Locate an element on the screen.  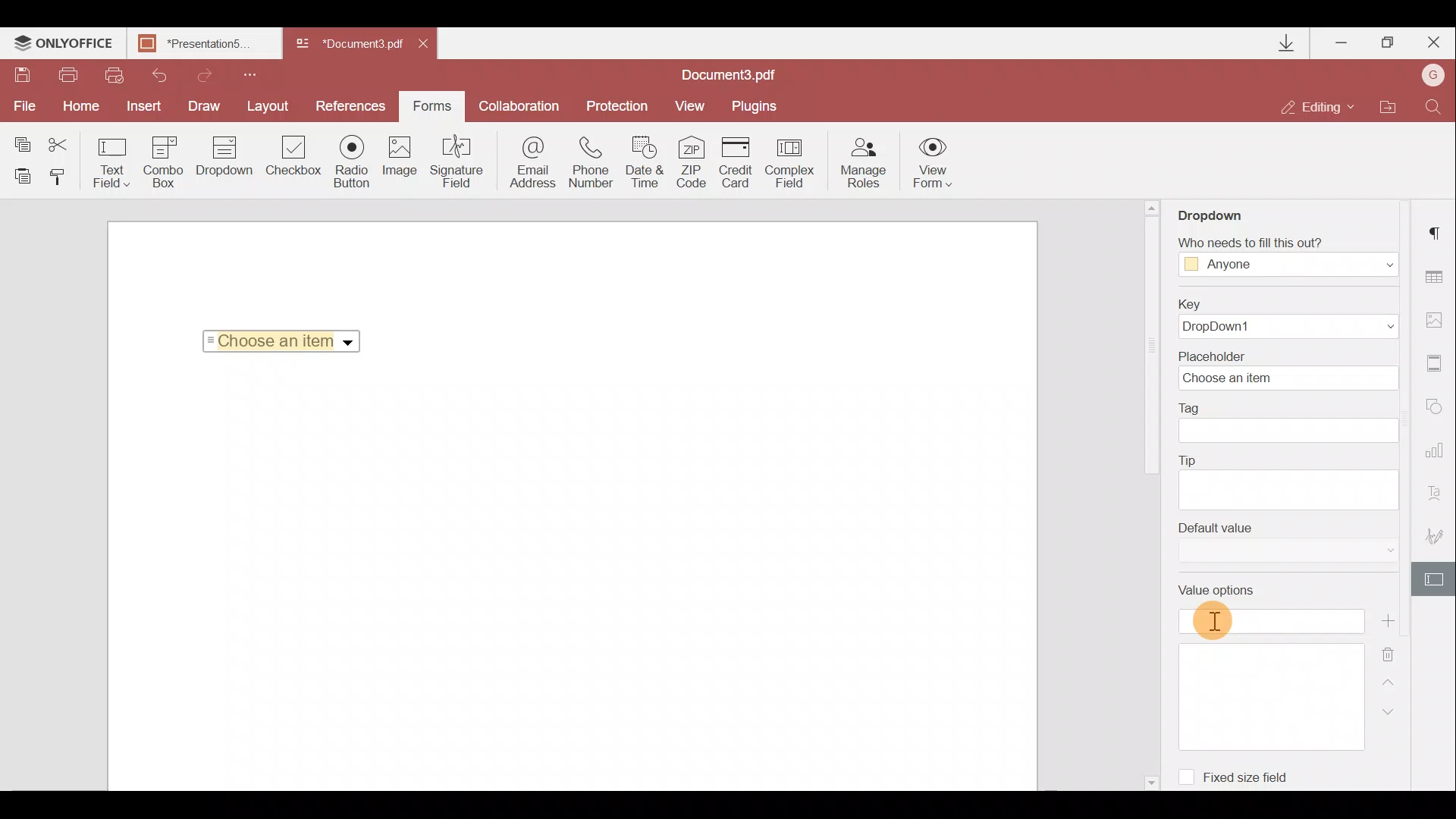
Undo is located at coordinates (153, 73).